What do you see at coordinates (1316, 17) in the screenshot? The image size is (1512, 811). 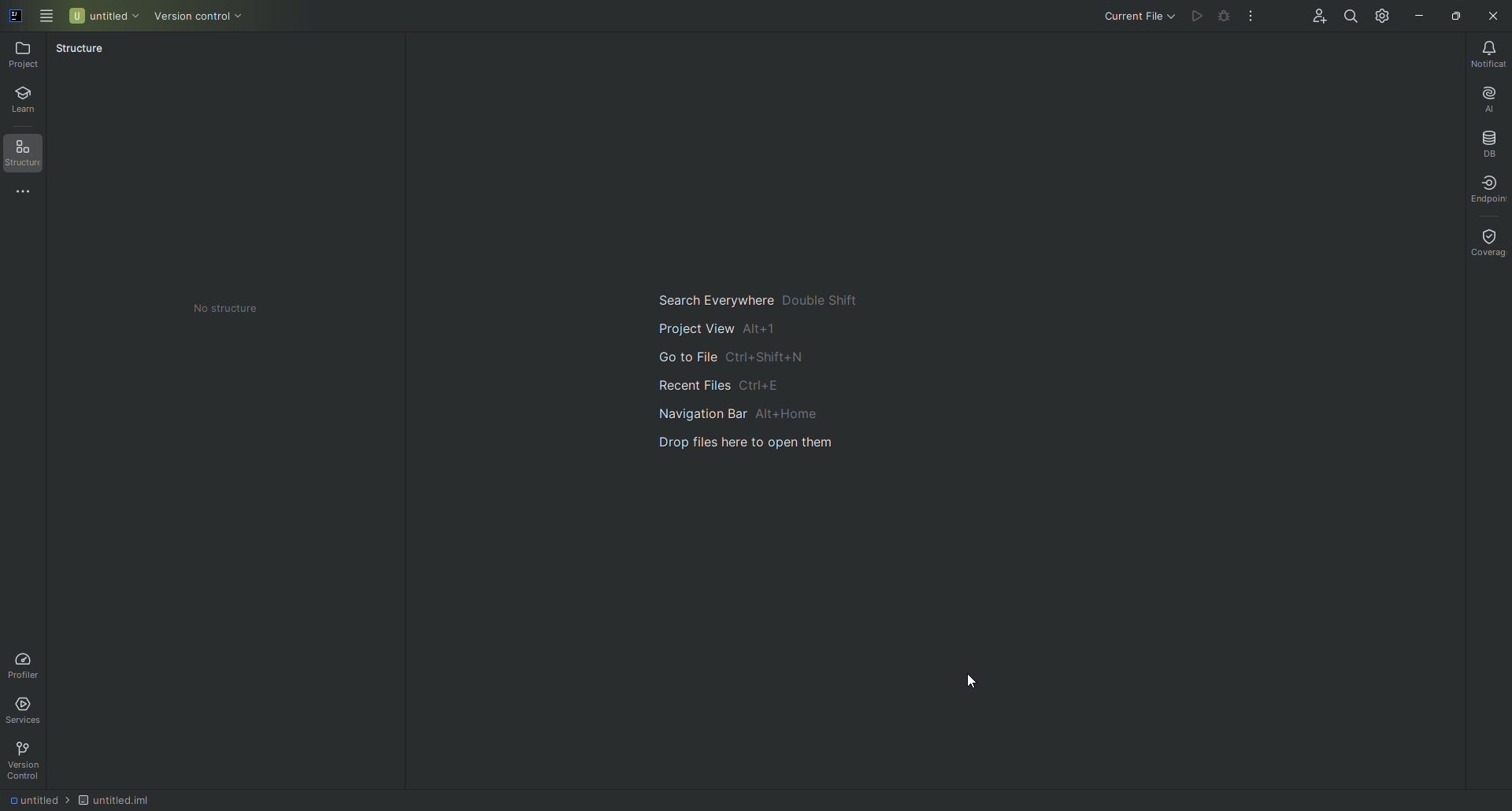 I see `Code With Me` at bounding box center [1316, 17].